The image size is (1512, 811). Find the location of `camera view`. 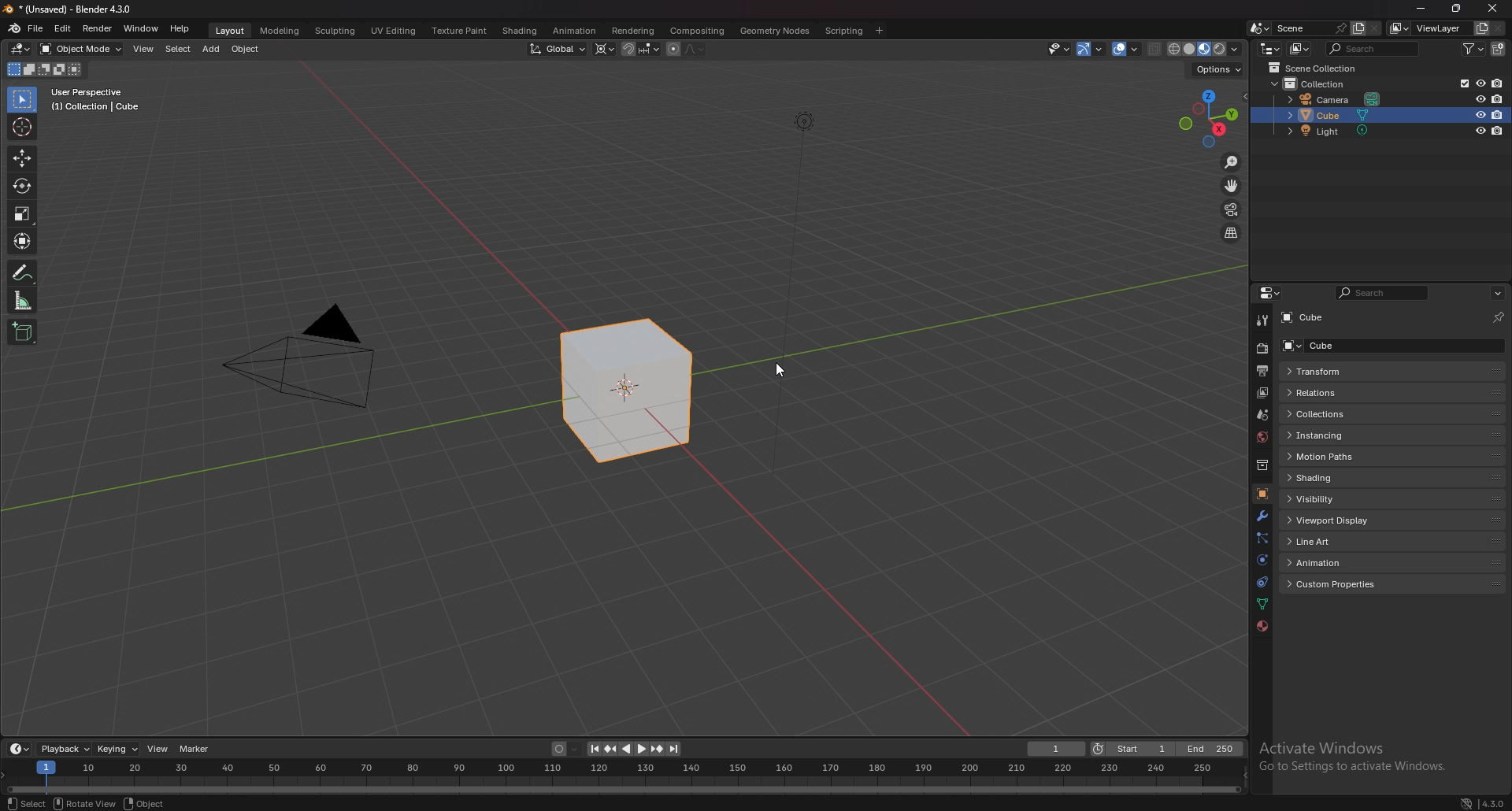

camera view is located at coordinates (1232, 209).